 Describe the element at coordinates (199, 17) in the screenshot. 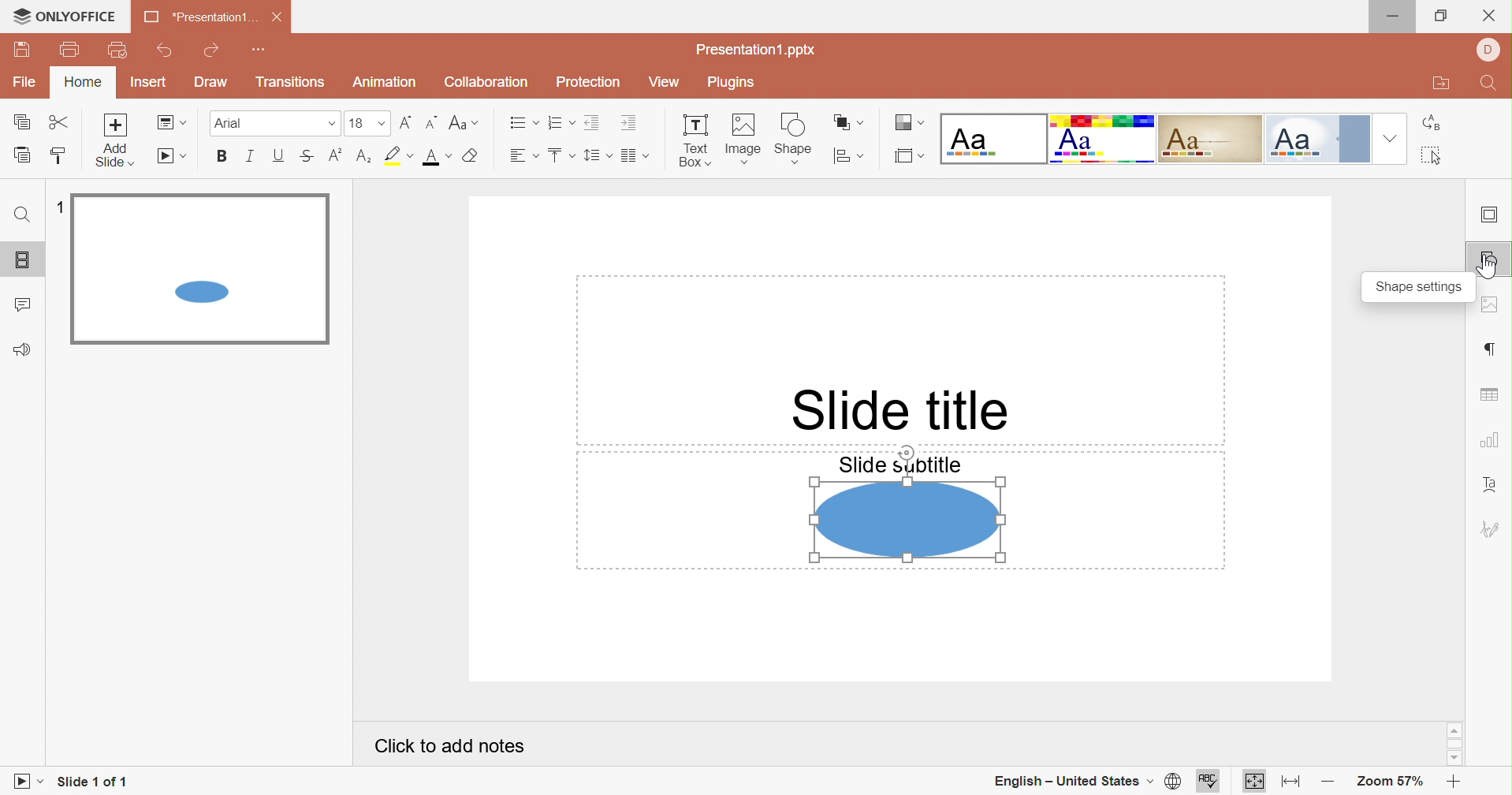

I see `*Presentation1 ...` at that location.